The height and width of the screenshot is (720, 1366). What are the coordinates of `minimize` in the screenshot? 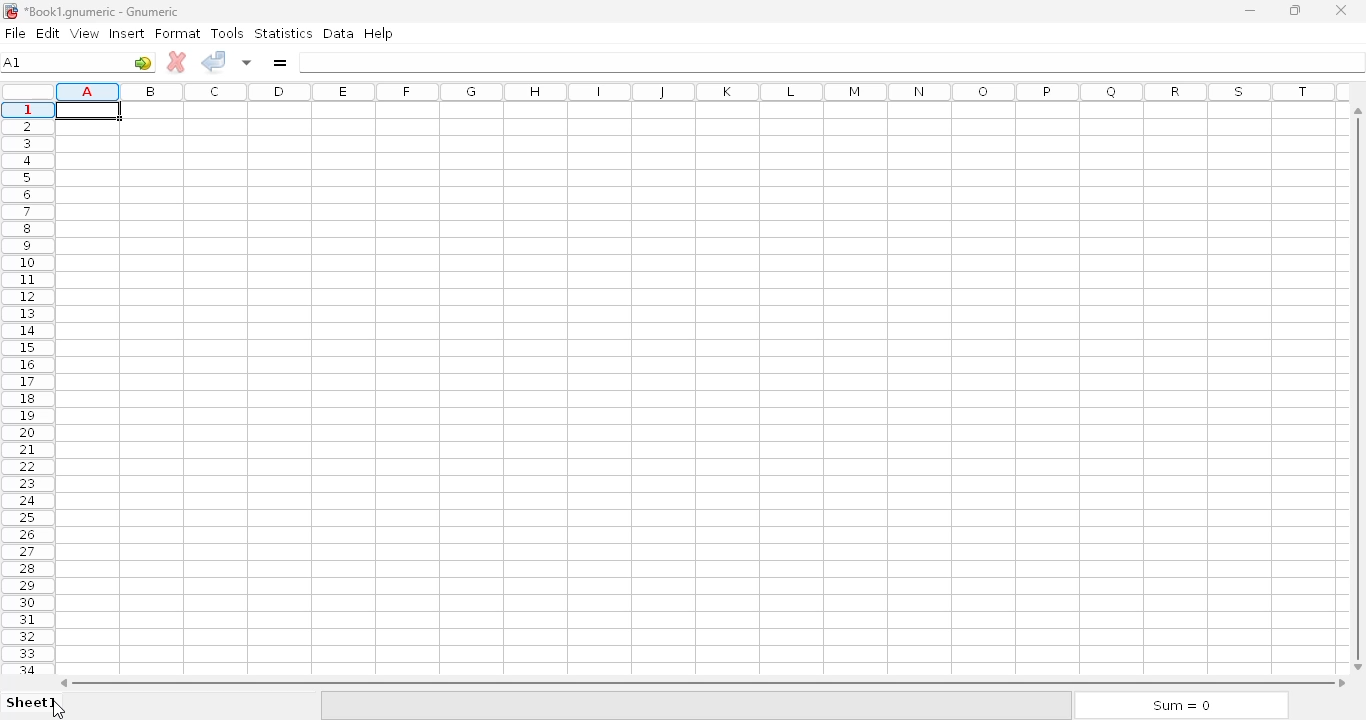 It's located at (1249, 11).